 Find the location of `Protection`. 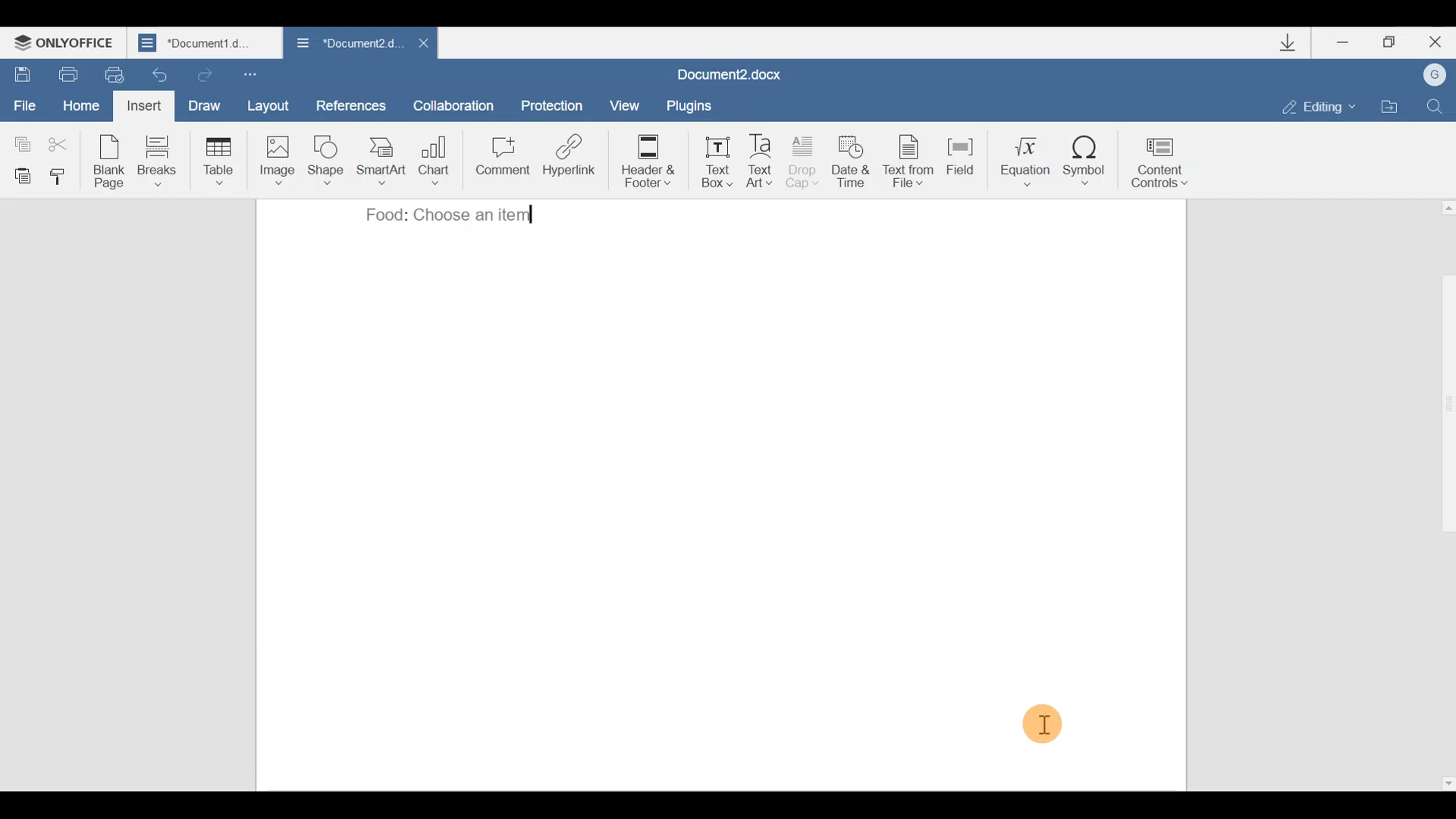

Protection is located at coordinates (552, 99).